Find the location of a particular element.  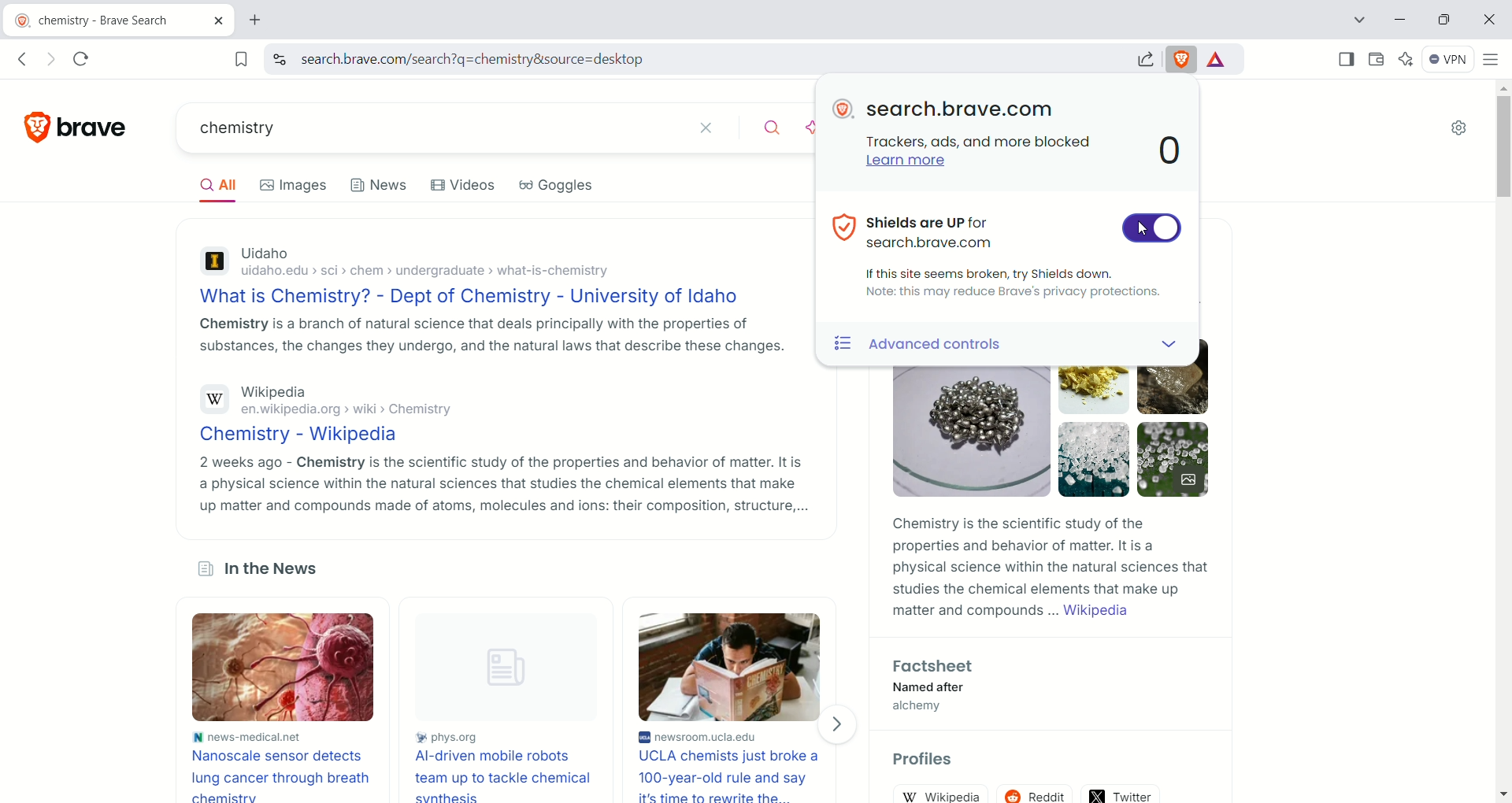

chemistry - brave search is located at coordinates (117, 18).